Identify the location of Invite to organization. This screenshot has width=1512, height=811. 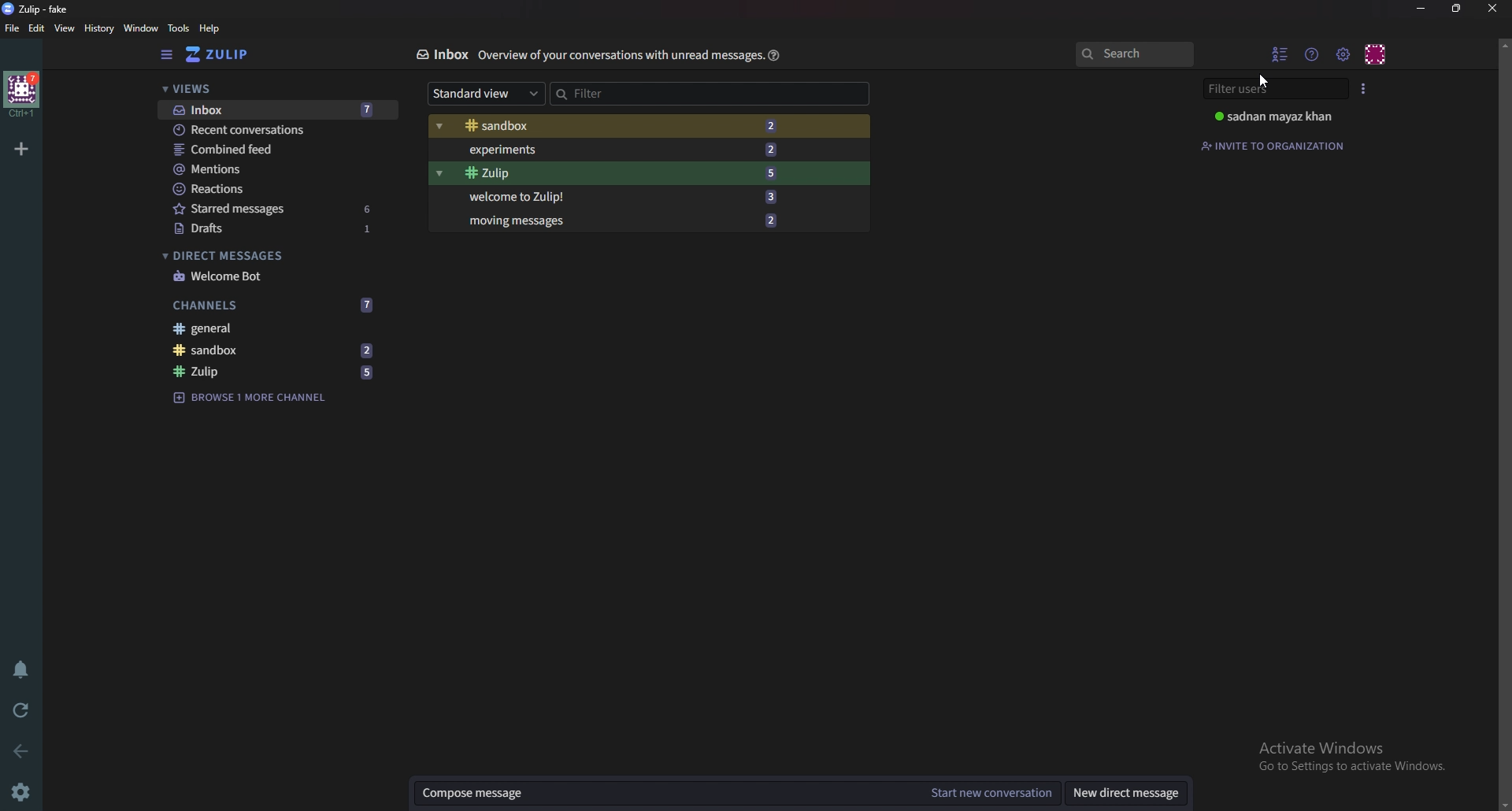
(1282, 146).